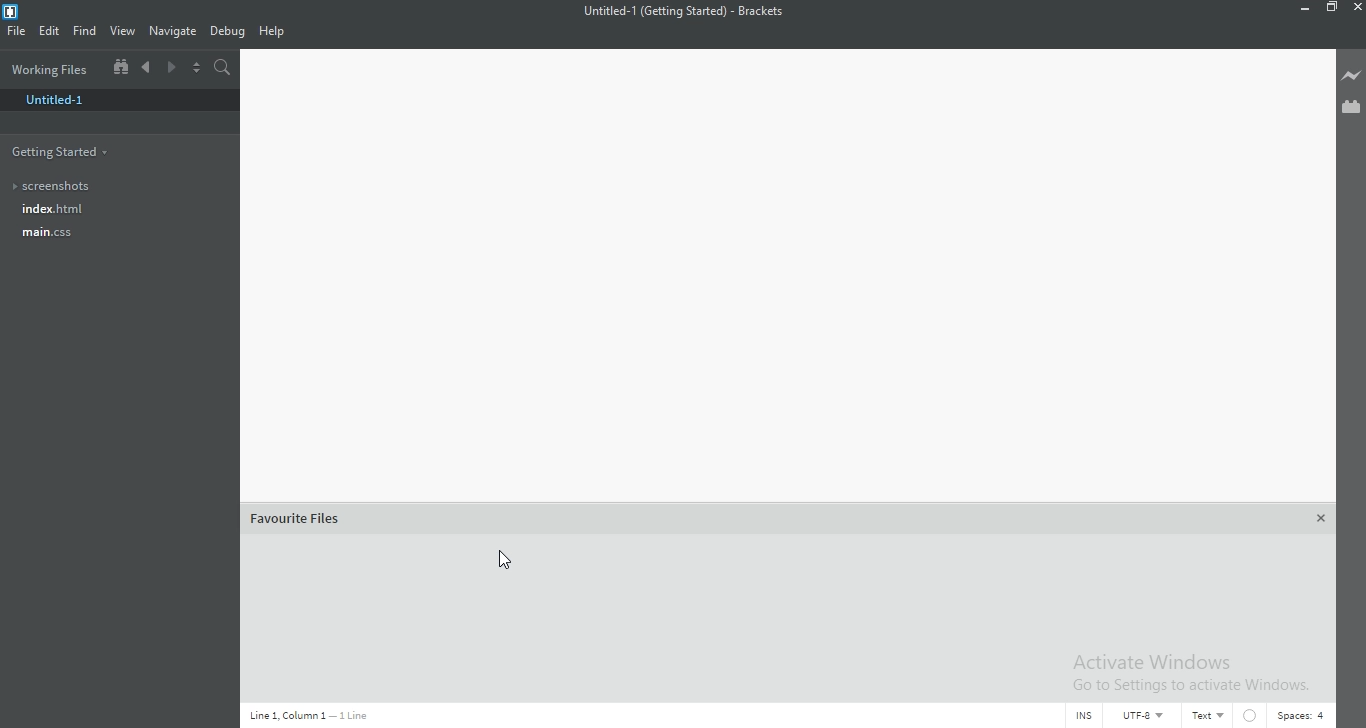  Describe the element at coordinates (307, 716) in the screenshot. I see `Line code data` at that location.